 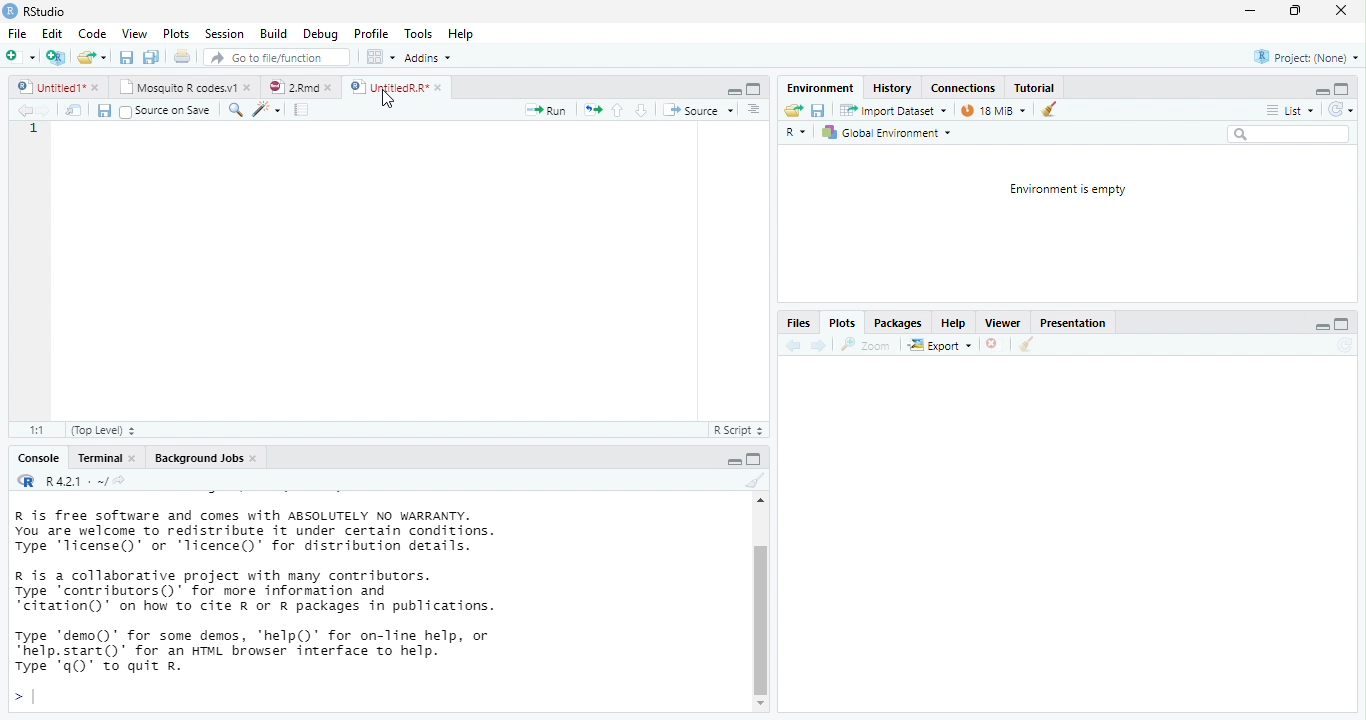 What do you see at coordinates (19, 57) in the screenshot?
I see `New file` at bounding box center [19, 57].